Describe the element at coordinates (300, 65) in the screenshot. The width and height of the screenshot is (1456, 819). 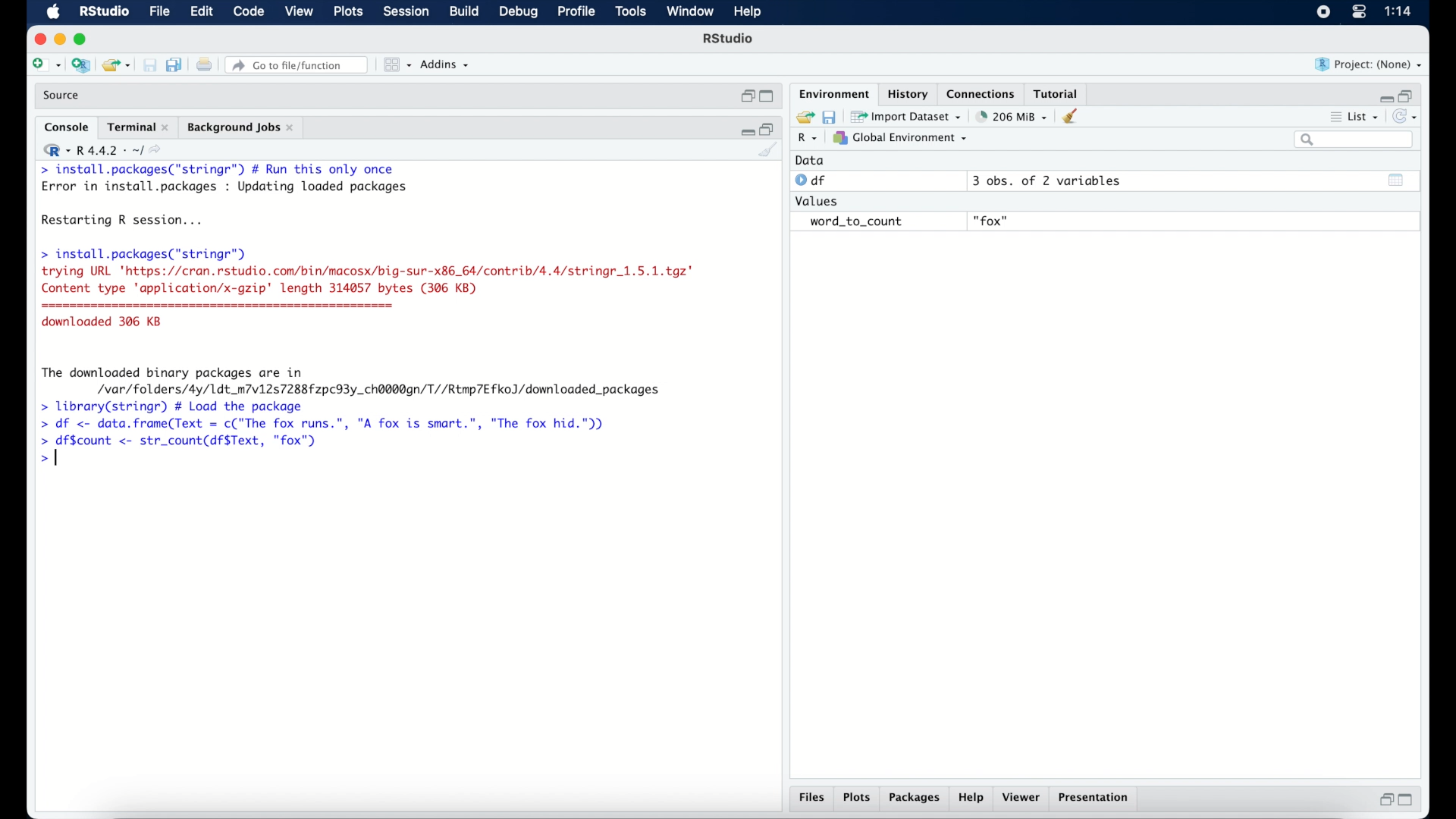
I see `go to file/function` at that location.